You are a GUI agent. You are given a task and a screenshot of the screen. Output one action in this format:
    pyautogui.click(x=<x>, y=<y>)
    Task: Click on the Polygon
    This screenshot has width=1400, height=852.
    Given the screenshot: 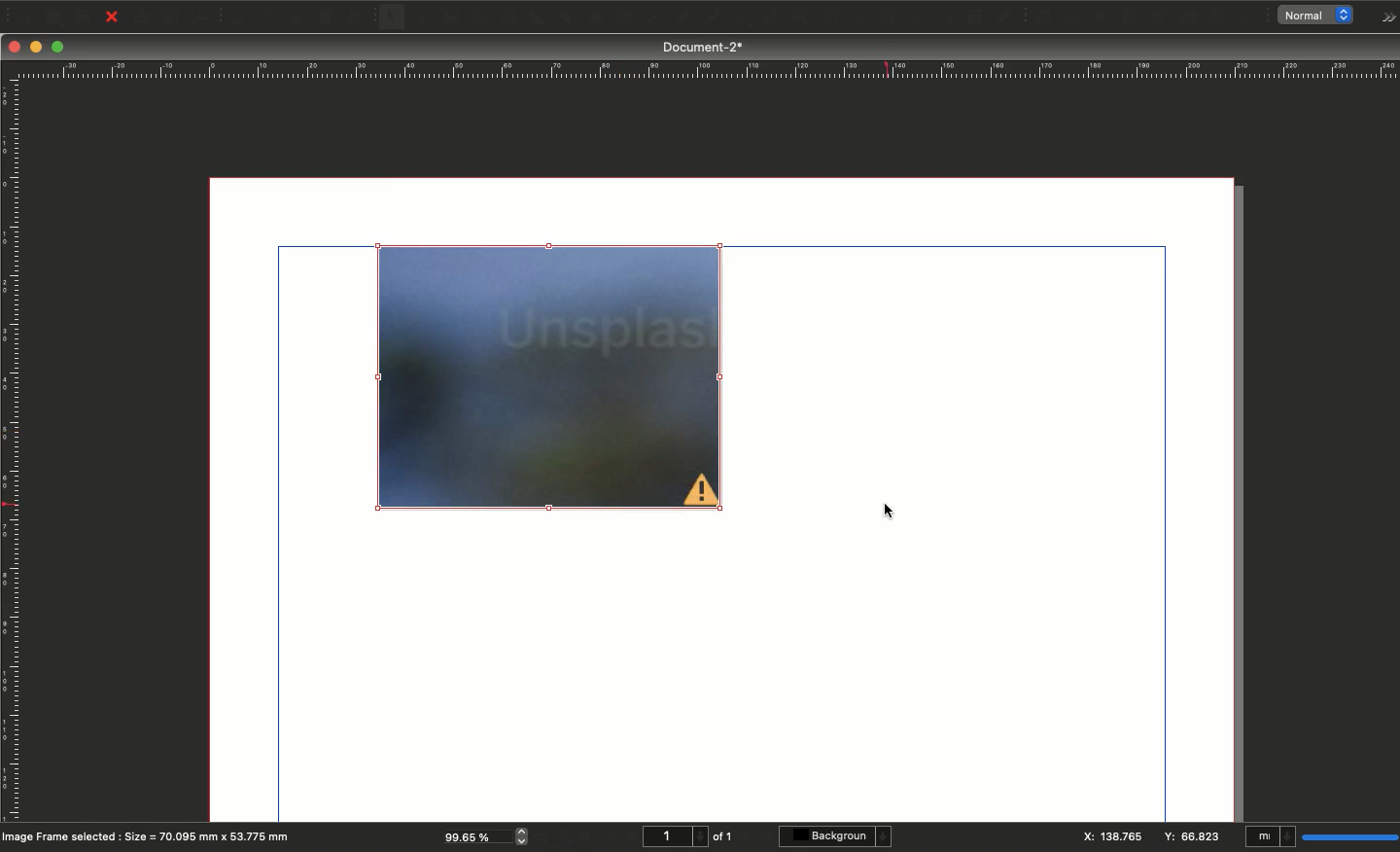 What is the action you would take?
    pyautogui.click(x=567, y=18)
    